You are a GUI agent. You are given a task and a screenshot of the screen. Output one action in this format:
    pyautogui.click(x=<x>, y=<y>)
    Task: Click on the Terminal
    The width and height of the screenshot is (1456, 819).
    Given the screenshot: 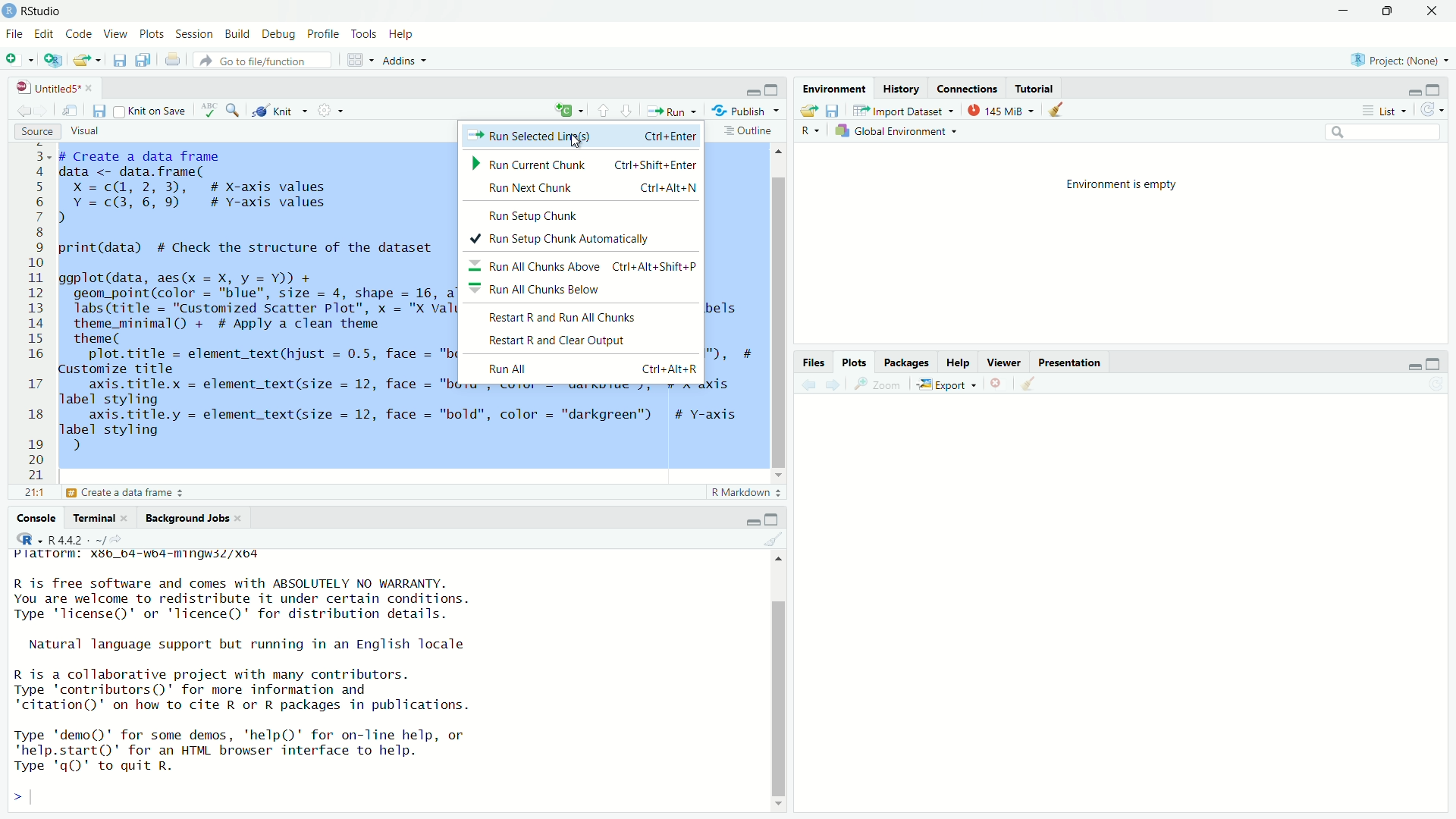 What is the action you would take?
    pyautogui.click(x=100, y=518)
    